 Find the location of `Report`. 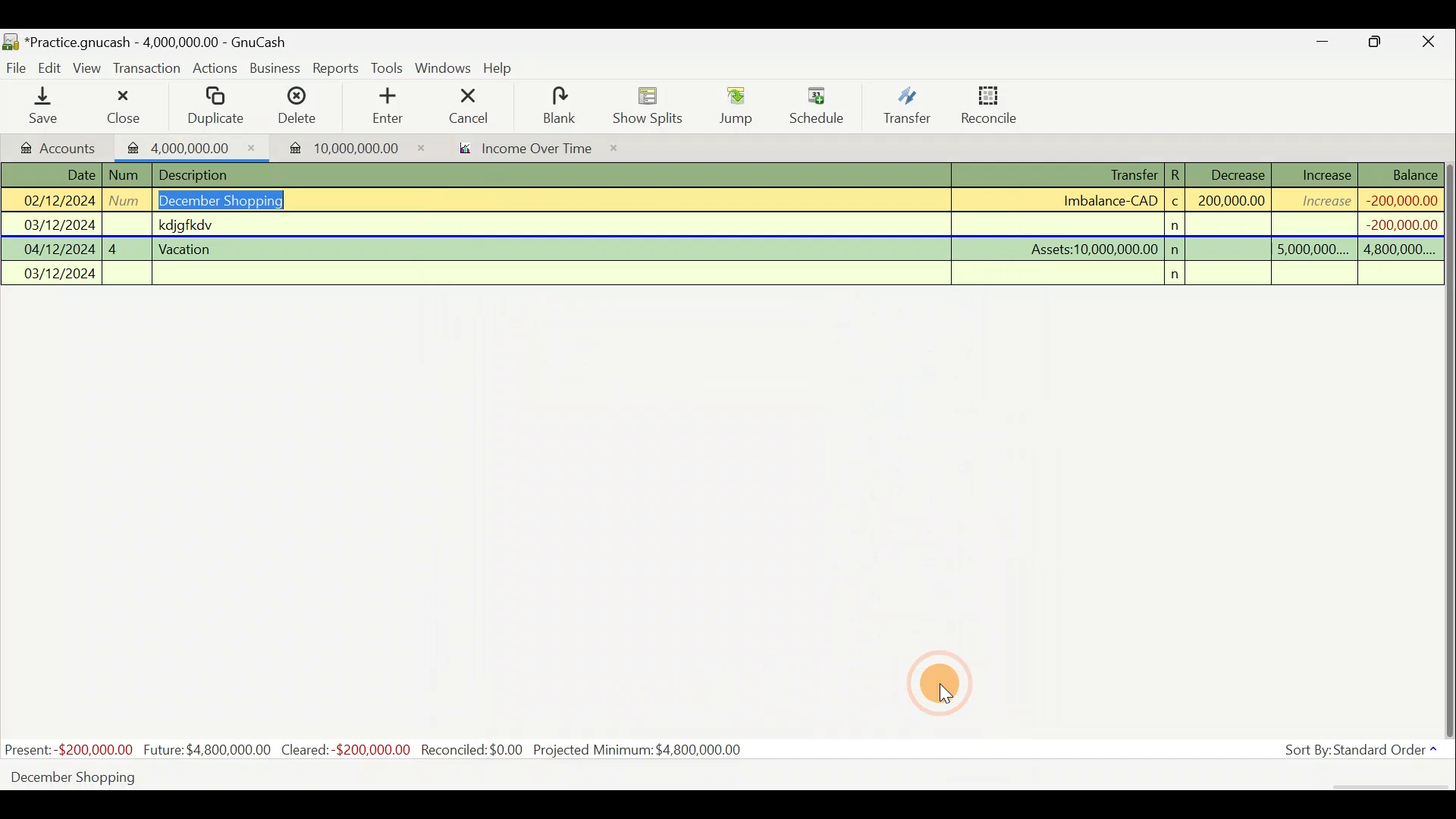

Report is located at coordinates (520, 150).